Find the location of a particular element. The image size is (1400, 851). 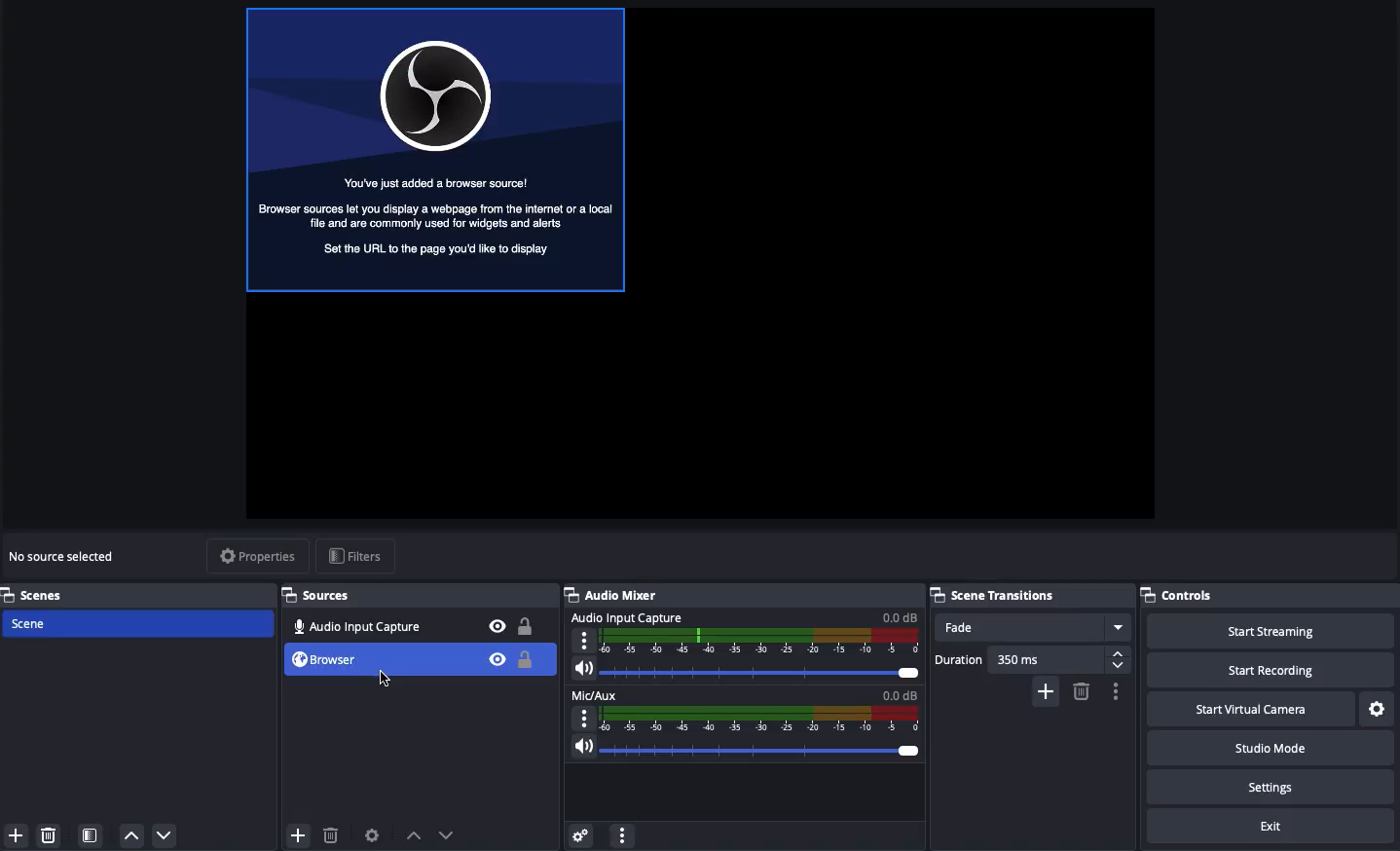

Scene is located at coordinates (40, 622).